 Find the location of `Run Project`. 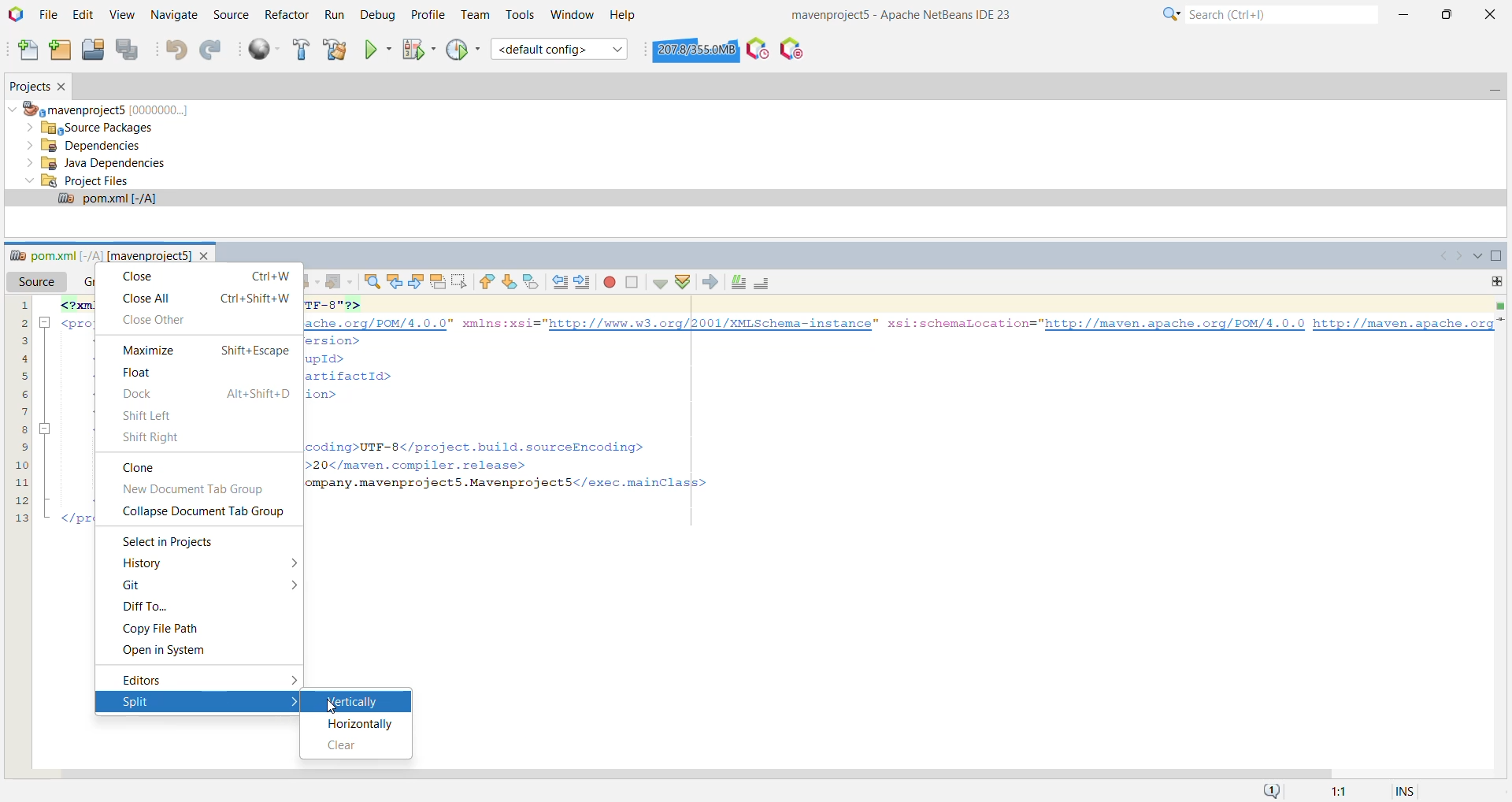

Run Project is located at coordinates (377, 50).